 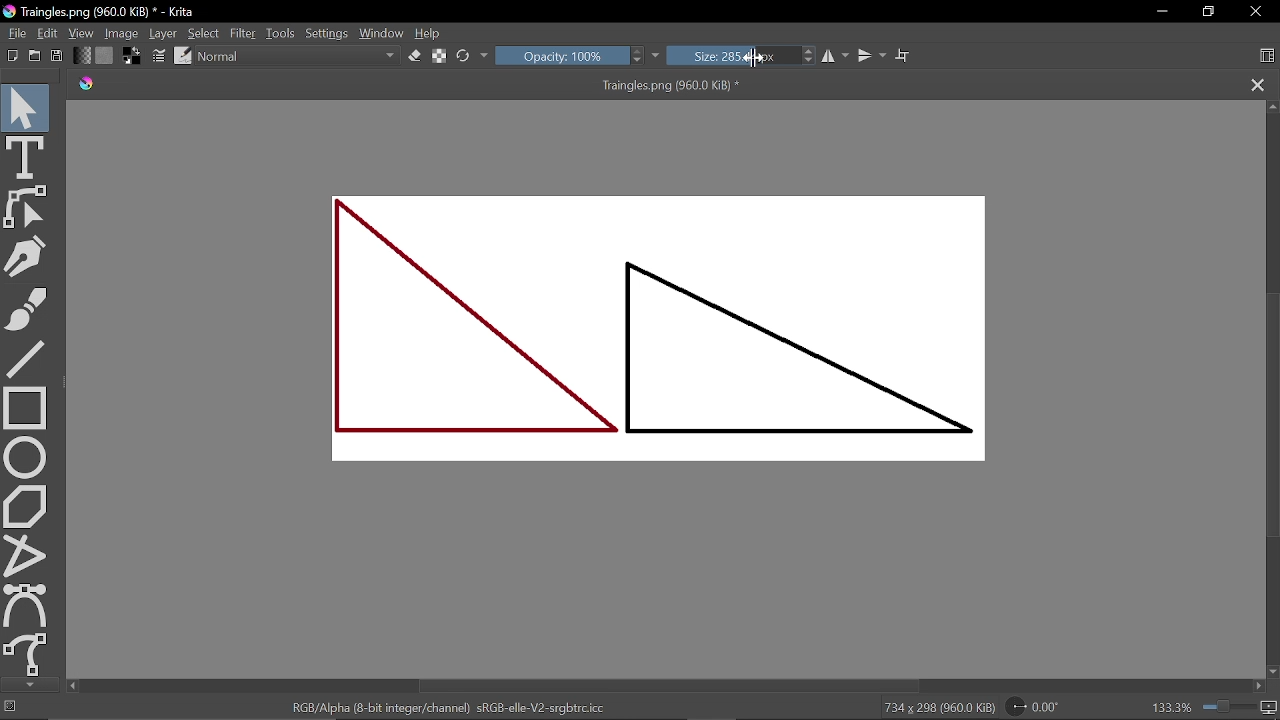 What do you see at coordinates (162, 33) in the screenshot?
I see `Layer` at bounding box center [162, 33].